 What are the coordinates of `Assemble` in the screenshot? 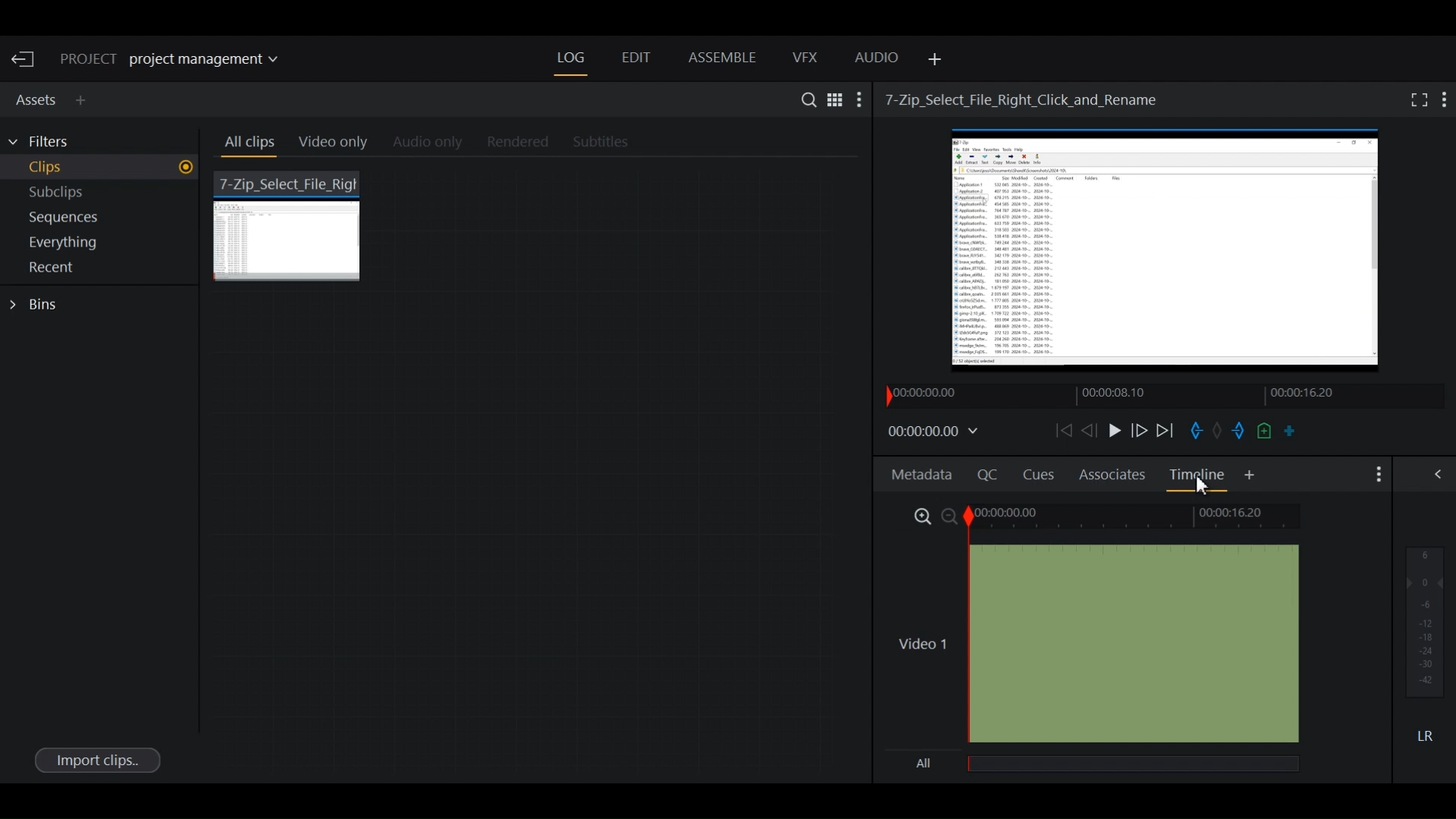 It's located at (722, 58).